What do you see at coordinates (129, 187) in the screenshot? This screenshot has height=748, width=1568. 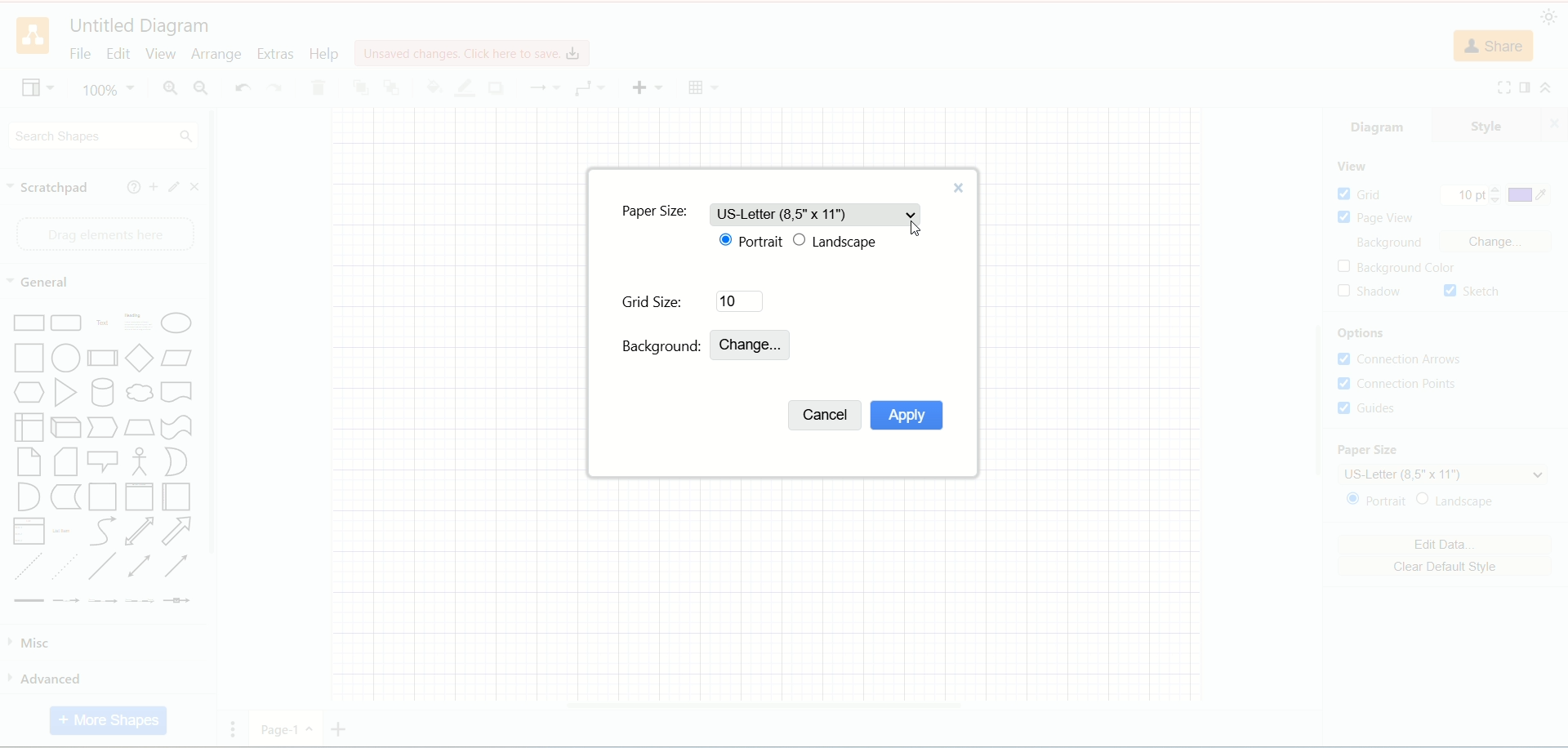 I see `help` at bounding box center [129, 187].